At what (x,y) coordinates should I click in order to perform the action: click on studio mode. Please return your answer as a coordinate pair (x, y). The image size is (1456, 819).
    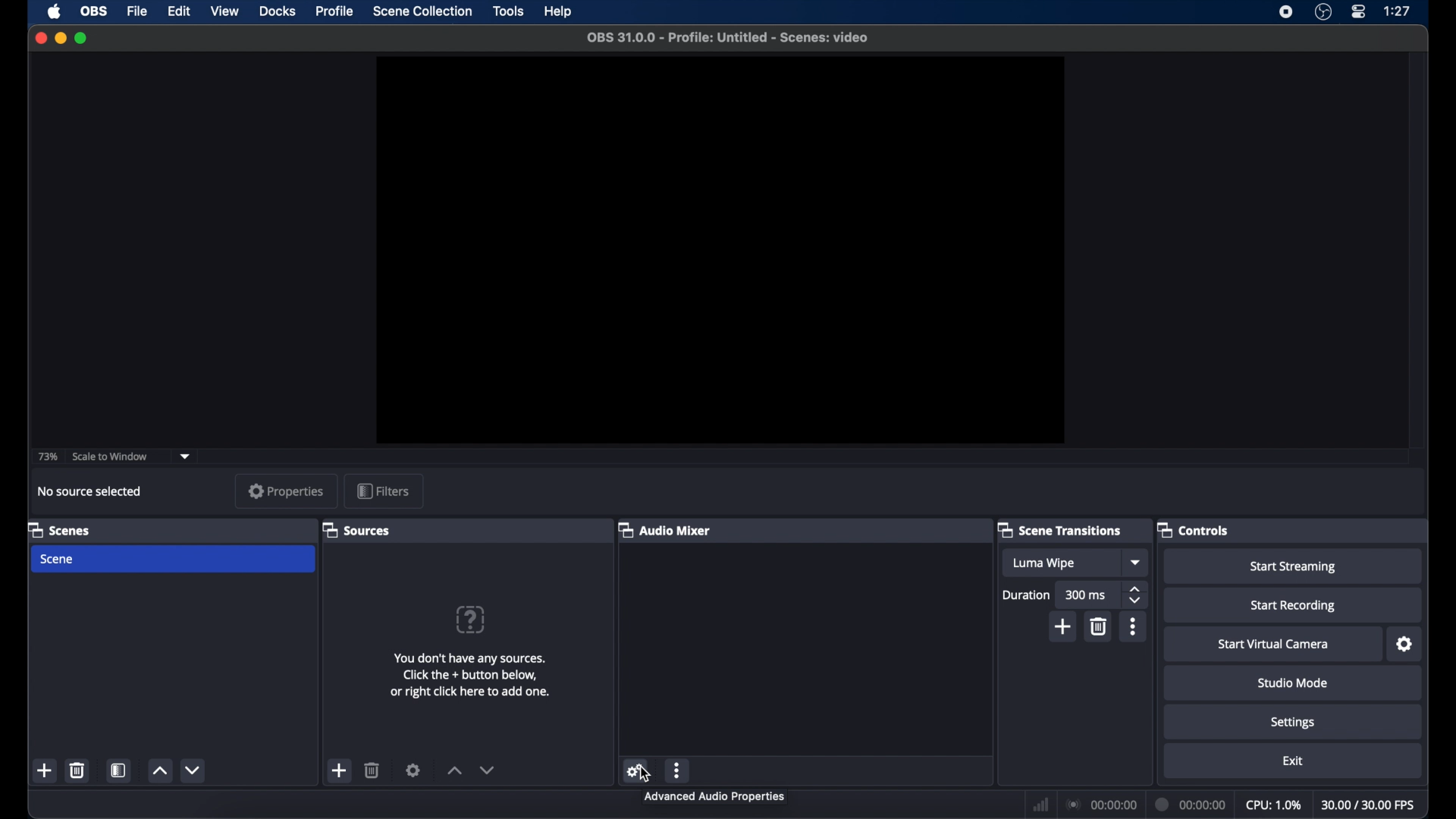
    Looking at the image, I should click on (1292, 683).